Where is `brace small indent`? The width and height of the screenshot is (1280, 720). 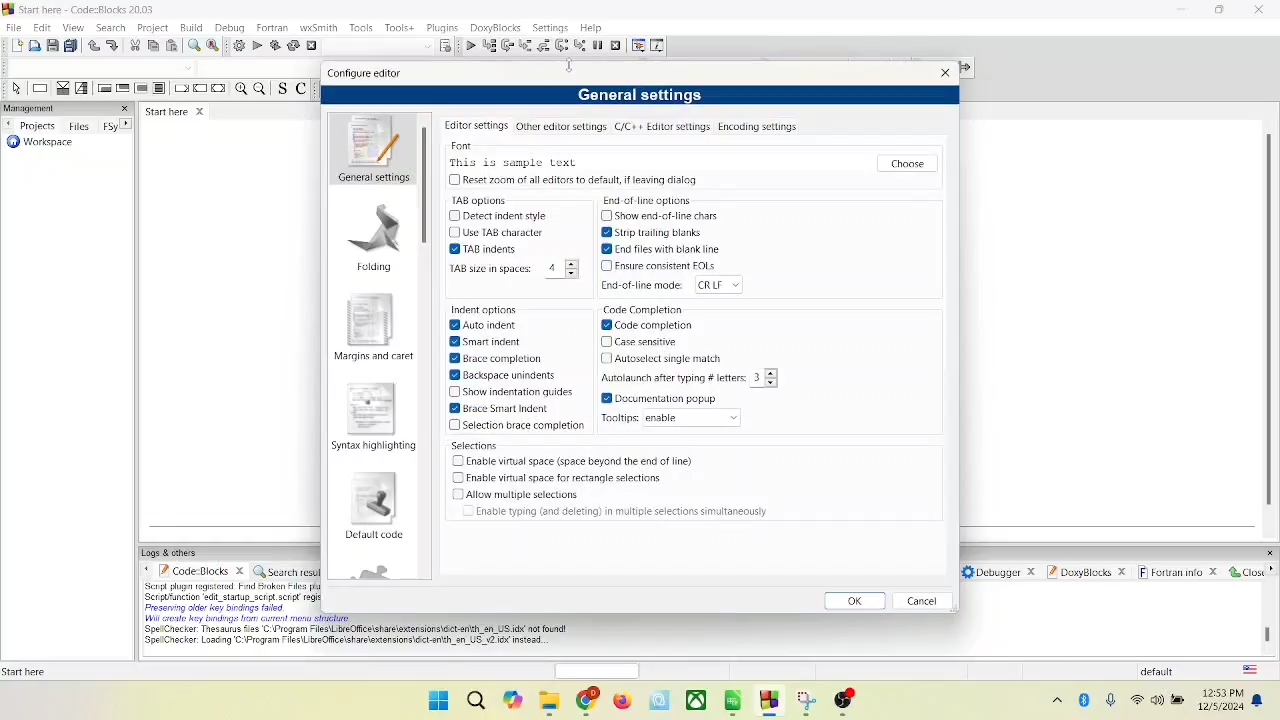 brace small indent is located at coordinates (502, 408).